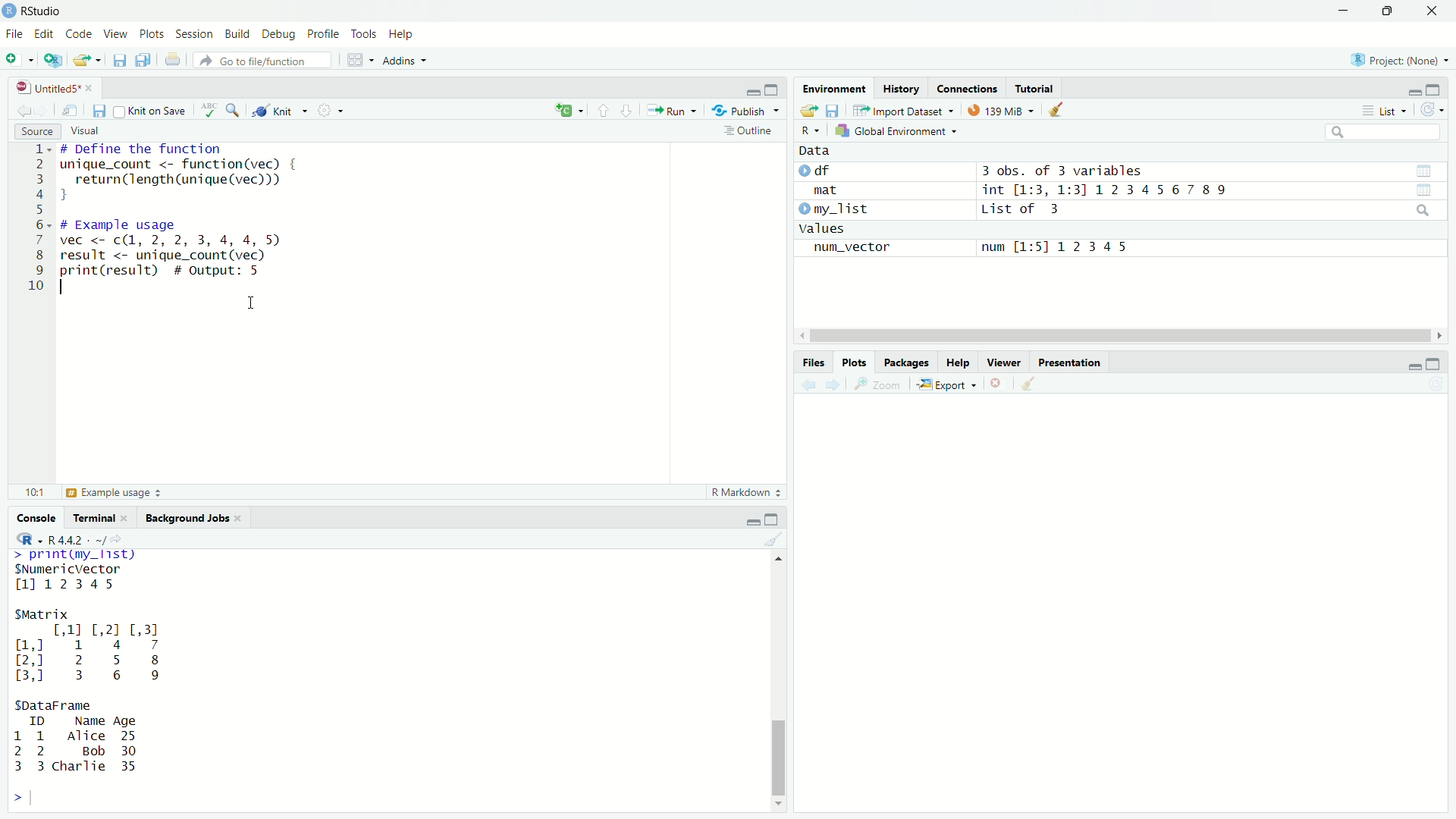  What do you see at coordinates (263, 60) in the screenshot?
I see `go to file/function` at bounding box center [263, 60].